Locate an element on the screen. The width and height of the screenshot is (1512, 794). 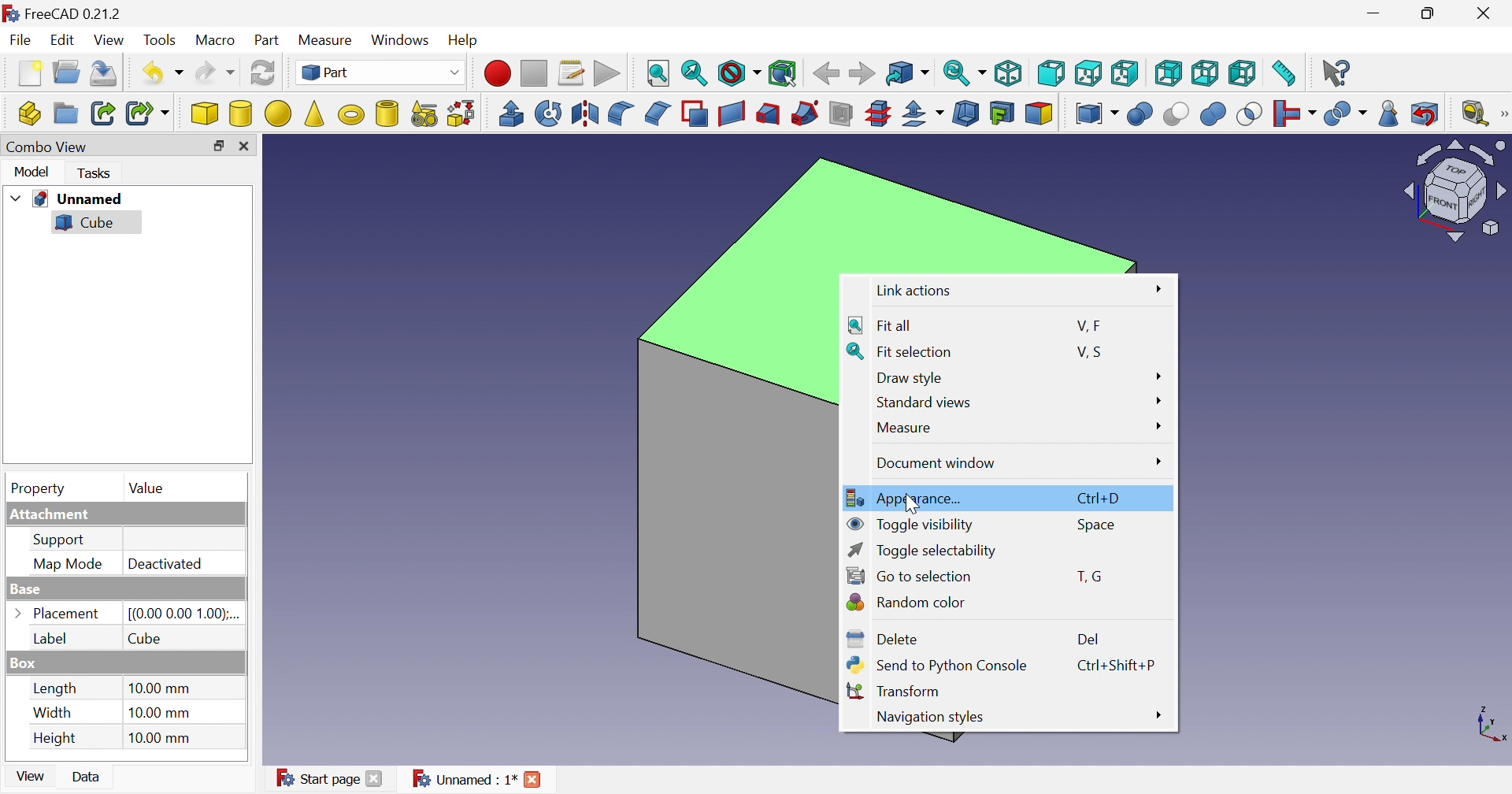
Cube is located at coordinates (203, 113).